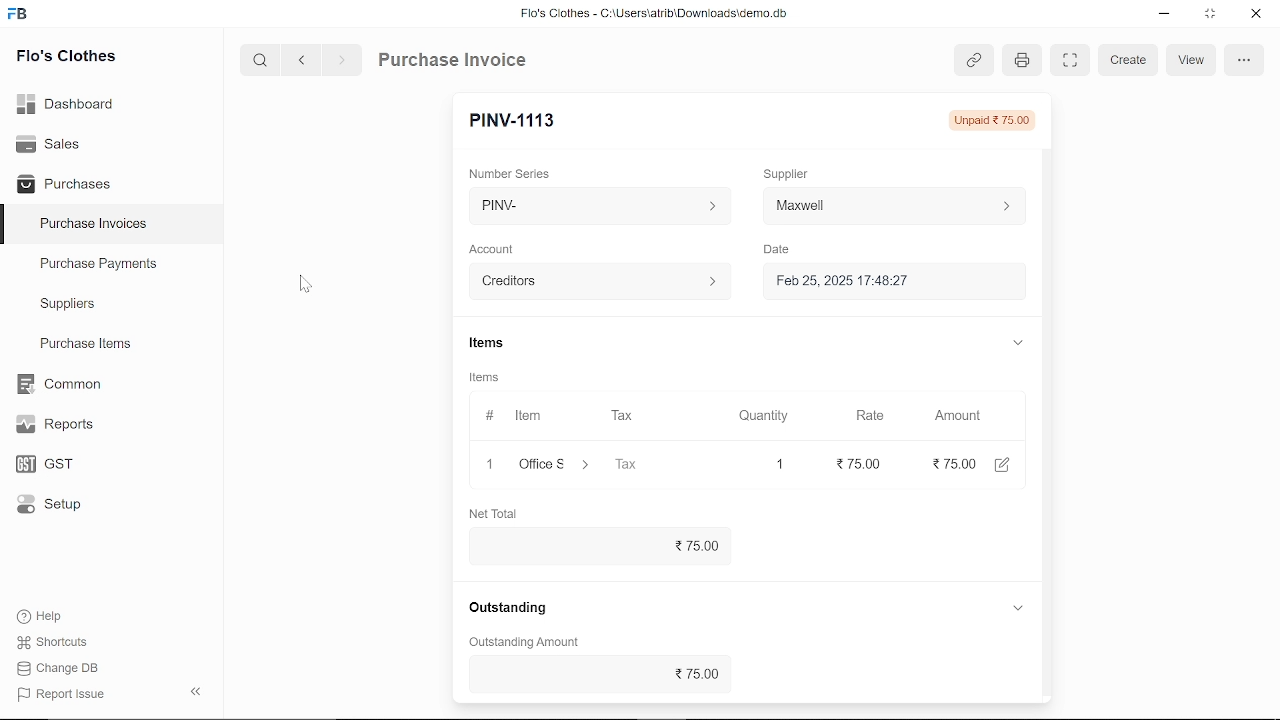 The width and height of the screenshot is (1280, 720). I want to click on Purchase Invoice, so click(456, 62).